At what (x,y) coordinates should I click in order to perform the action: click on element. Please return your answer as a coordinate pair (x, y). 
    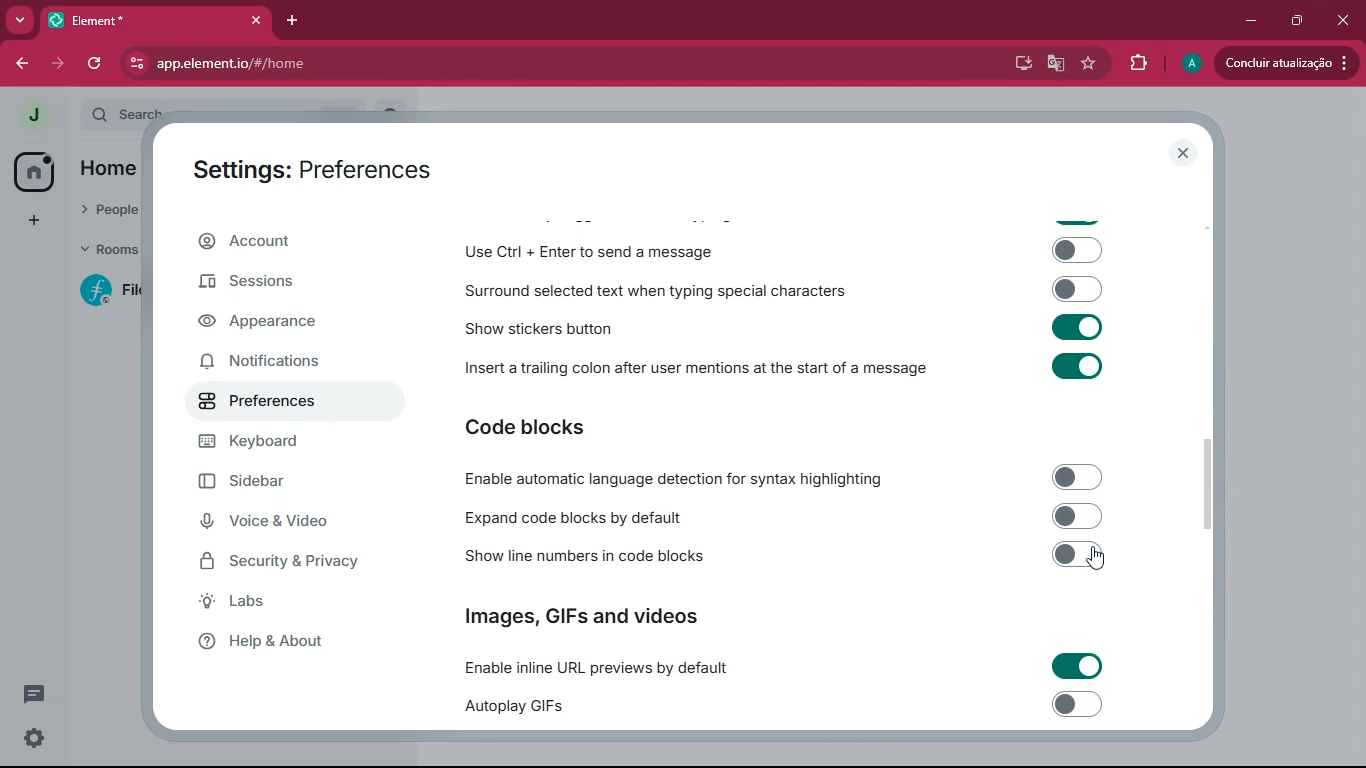
    Looking at the image, I should click on (155, 20).